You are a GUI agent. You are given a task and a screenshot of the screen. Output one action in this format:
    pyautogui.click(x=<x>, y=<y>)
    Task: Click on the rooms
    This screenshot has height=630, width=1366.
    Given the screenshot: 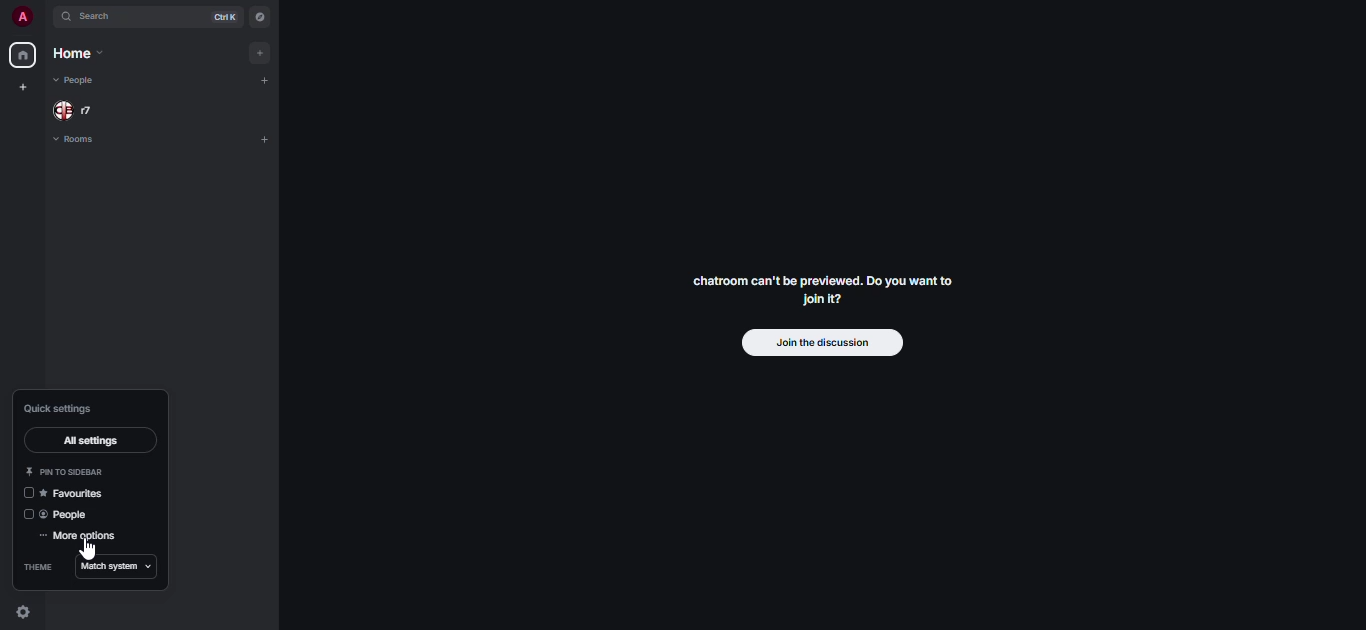 What is the action you would take?
    pyautogui.click(x=83, y=140)
    